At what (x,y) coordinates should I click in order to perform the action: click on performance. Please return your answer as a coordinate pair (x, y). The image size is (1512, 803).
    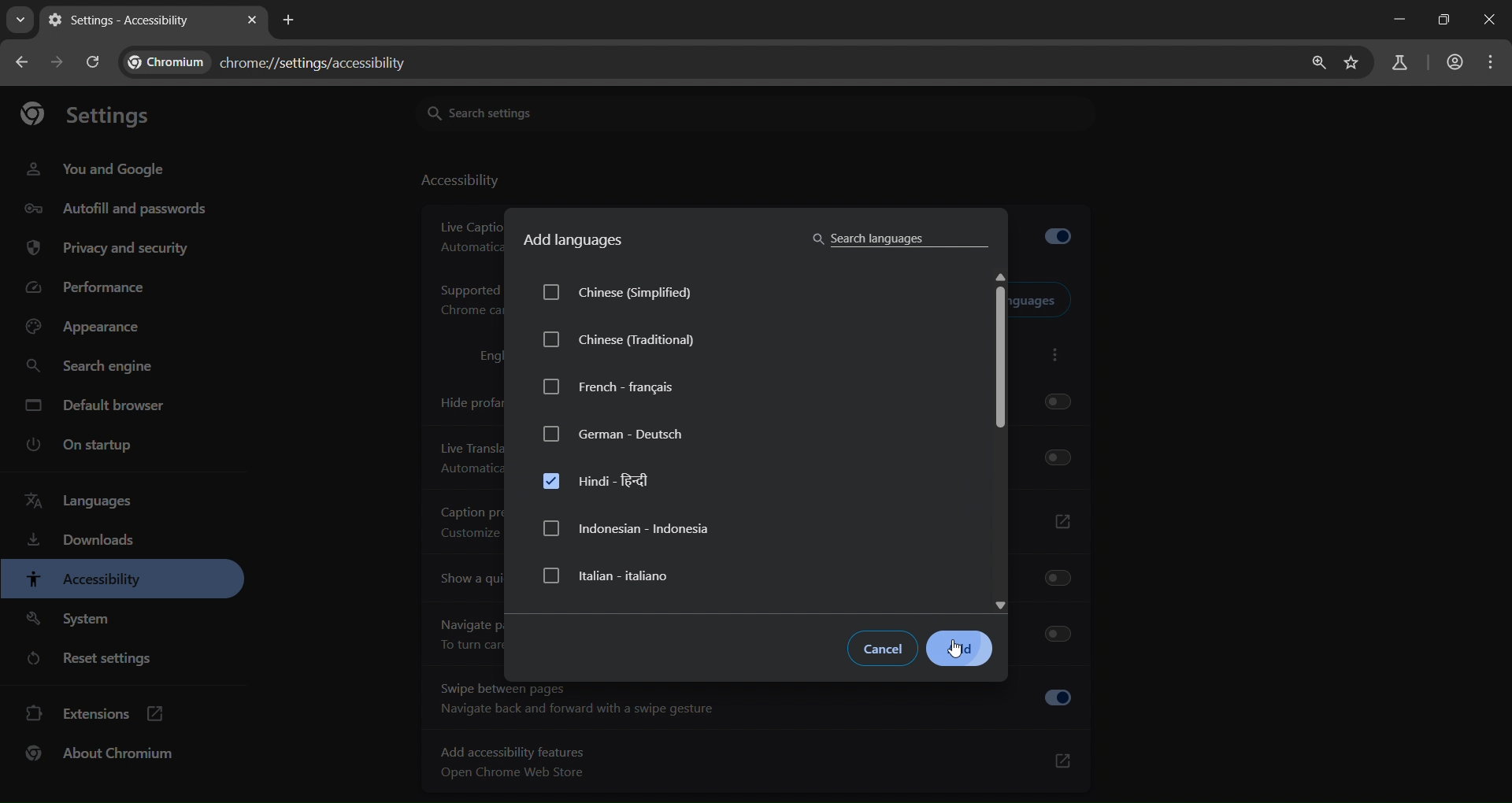
    Looking at the image, I should click on (91, 285).